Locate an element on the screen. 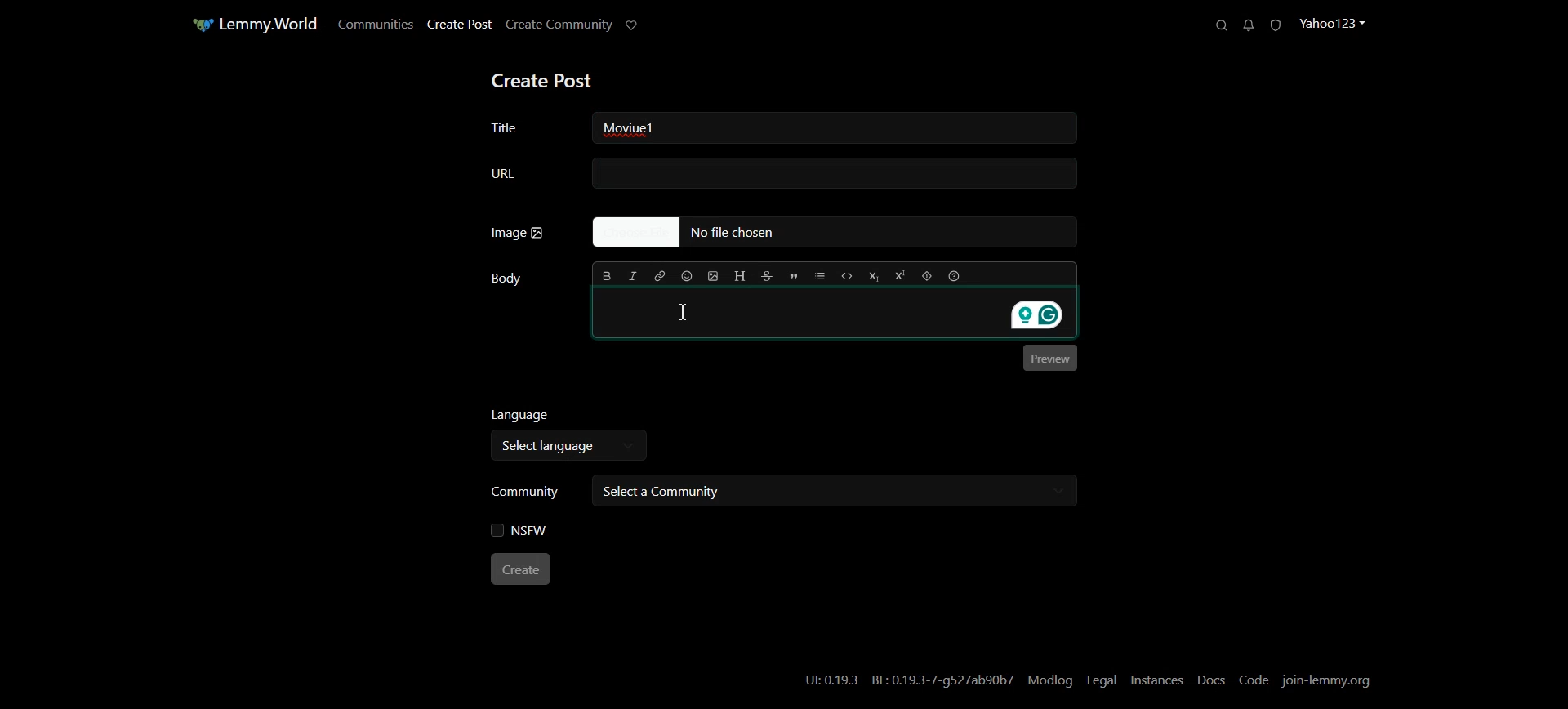  Strikethrough is located at coordinates (768, 276).